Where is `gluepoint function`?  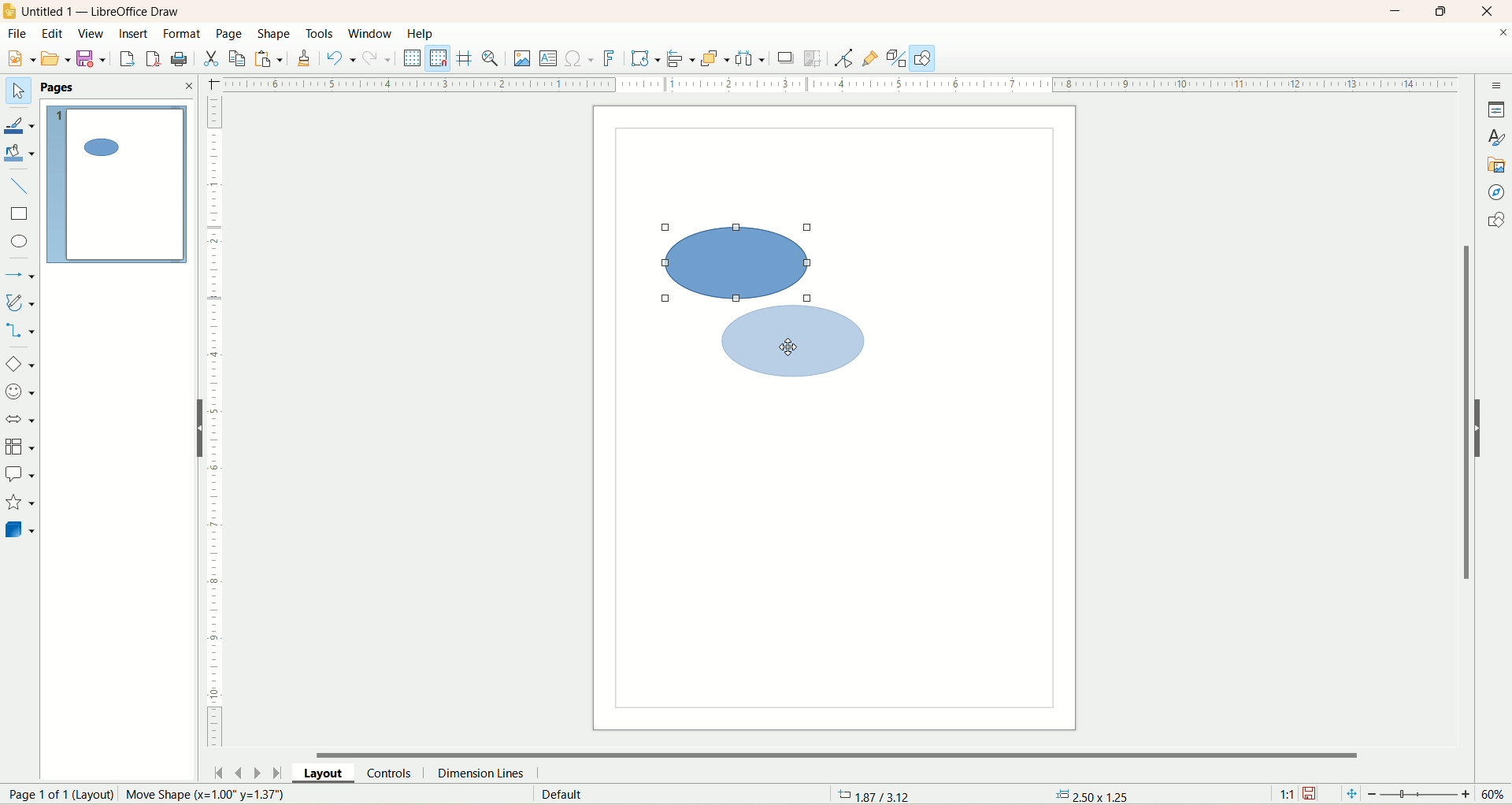 gluepoint function is located at coordinates (873, 58).